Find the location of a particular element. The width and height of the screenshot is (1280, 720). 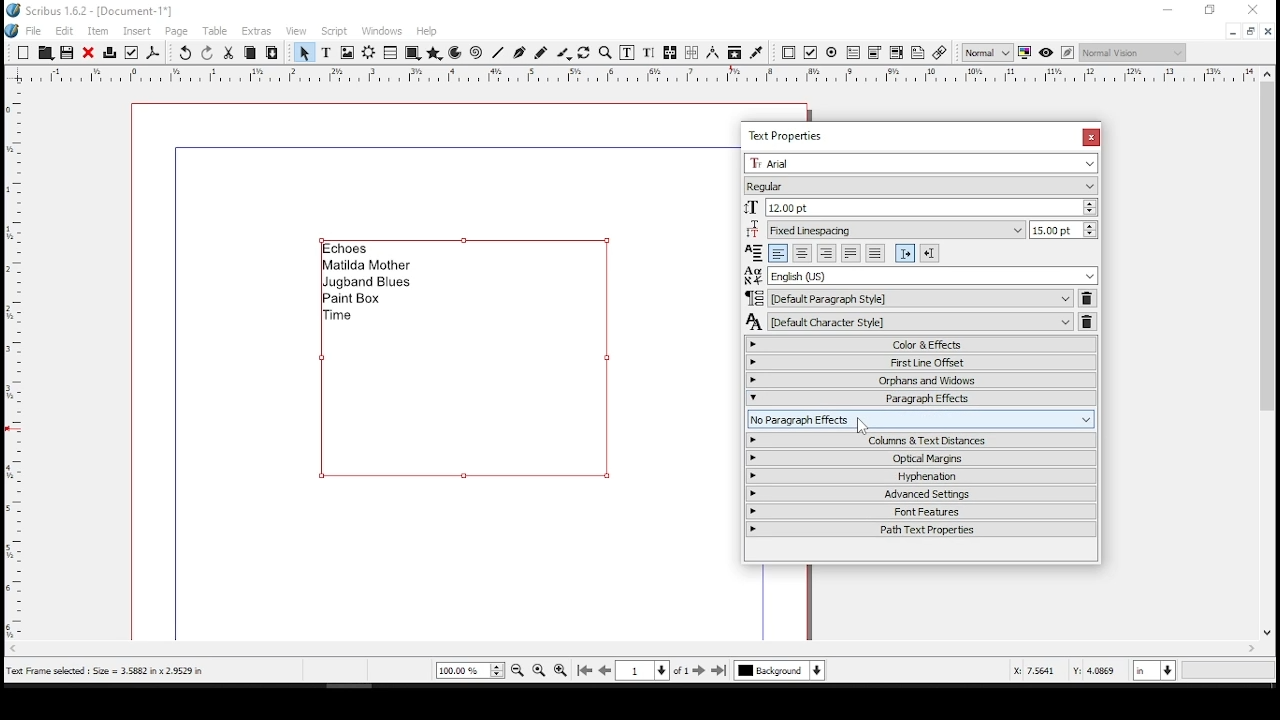

link annotation is located at coordinates (940, 53).